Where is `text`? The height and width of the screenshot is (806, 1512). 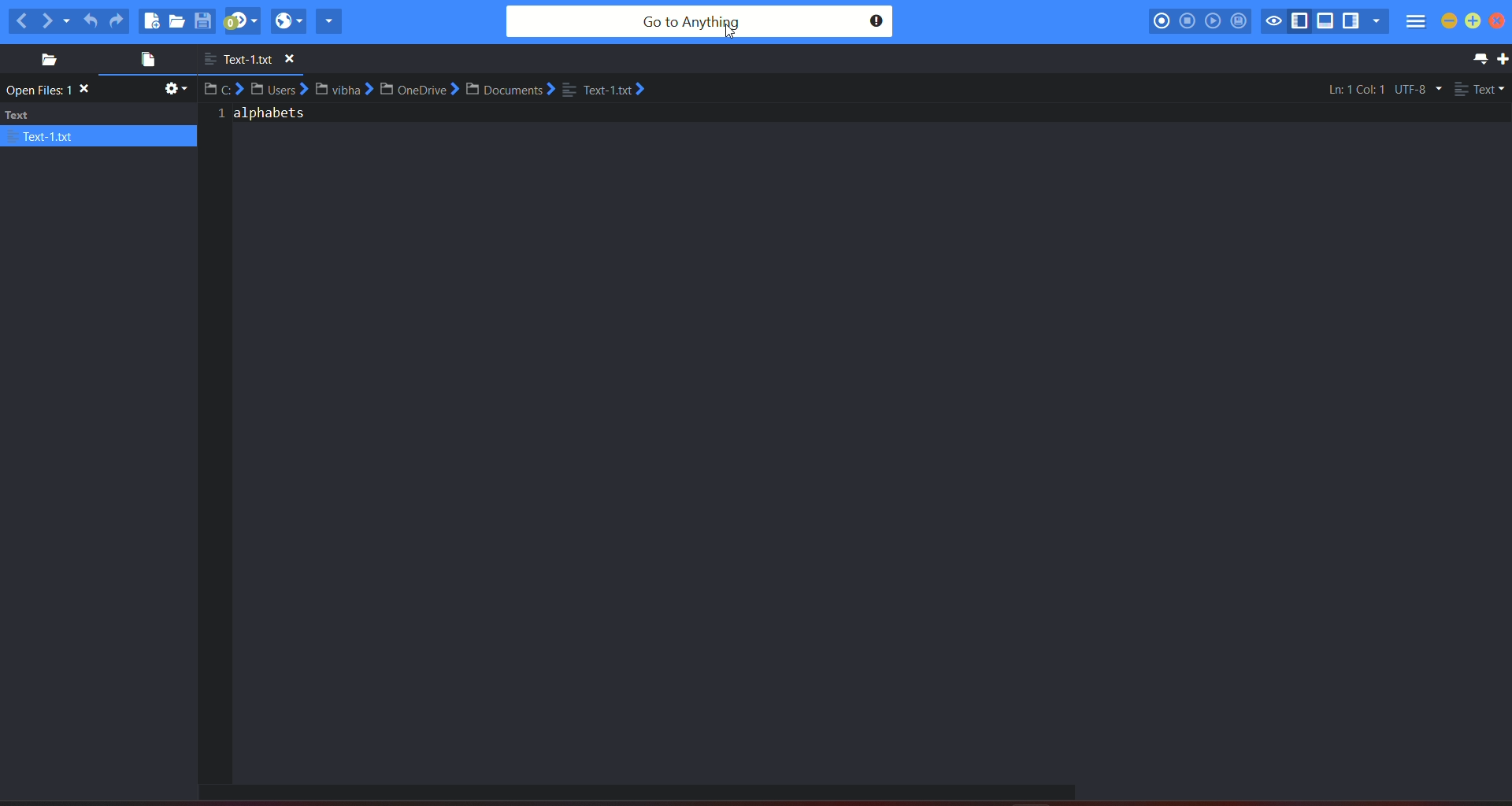 text is located at coordinates (266, 119).